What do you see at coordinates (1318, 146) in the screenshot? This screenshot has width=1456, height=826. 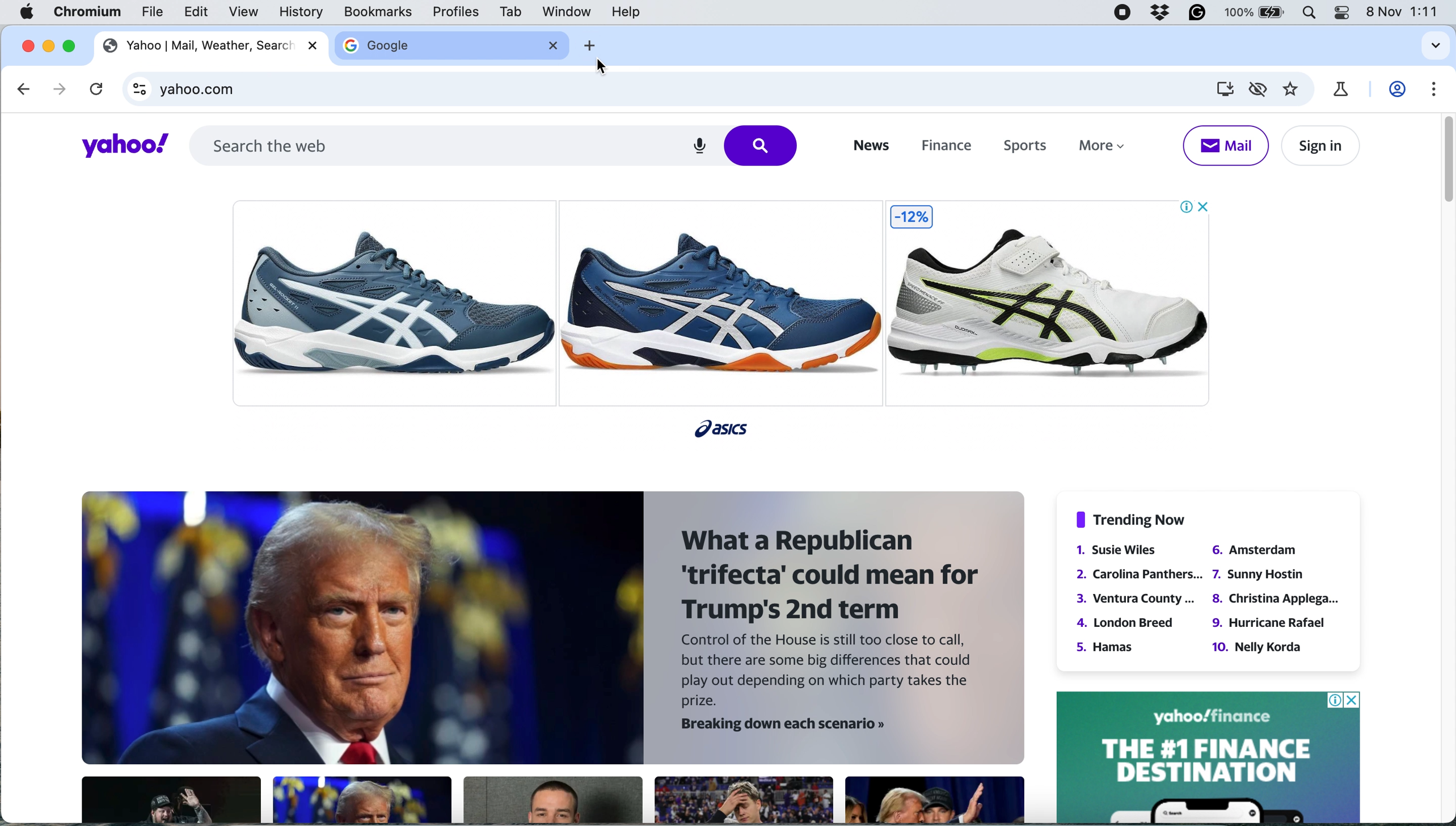 I see `sign in` at bounding box center [1318, 146].